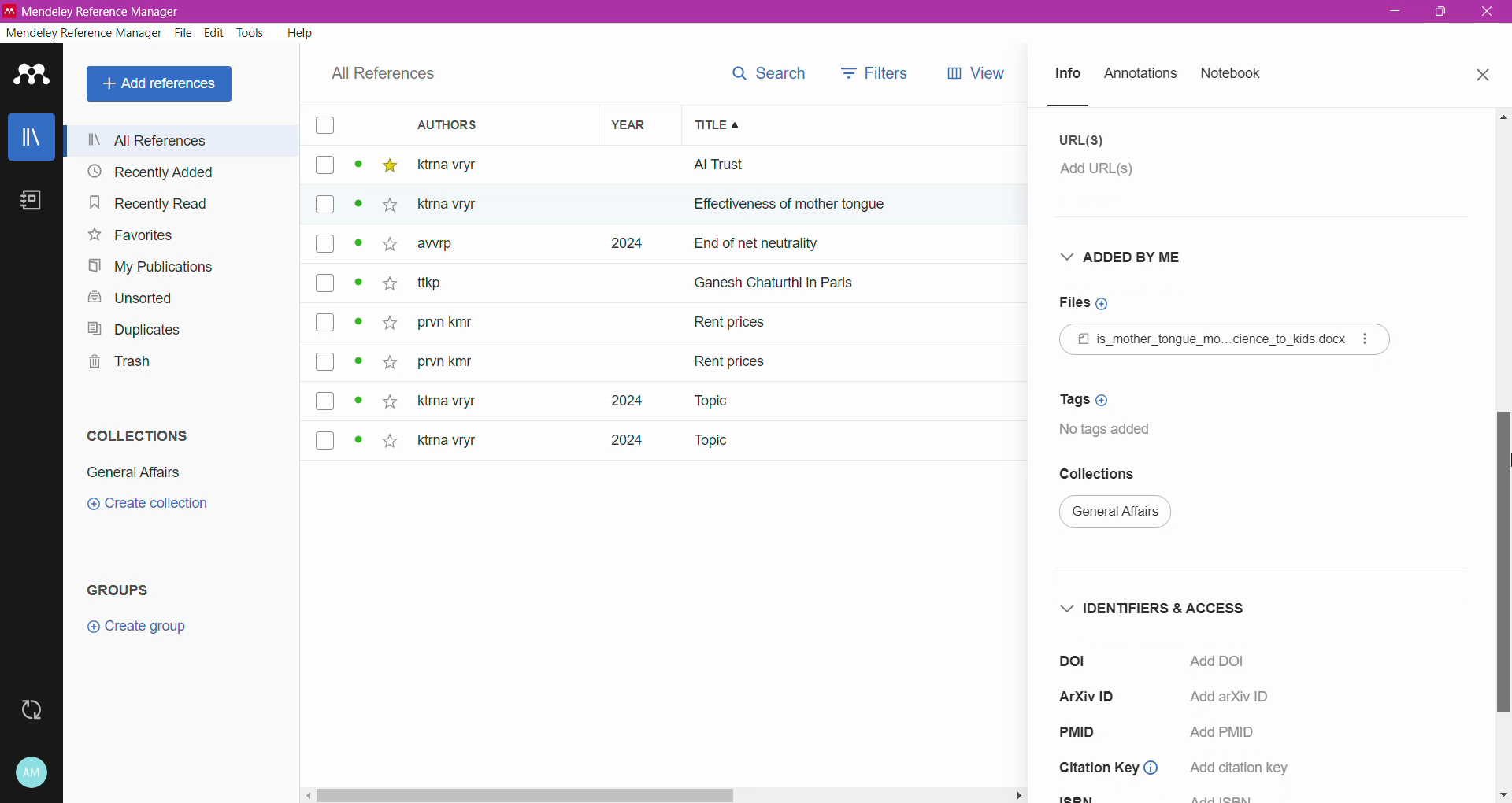 The height and width of the screenshot is (803, 1512). I want to click on Create group, so click(136, 627).